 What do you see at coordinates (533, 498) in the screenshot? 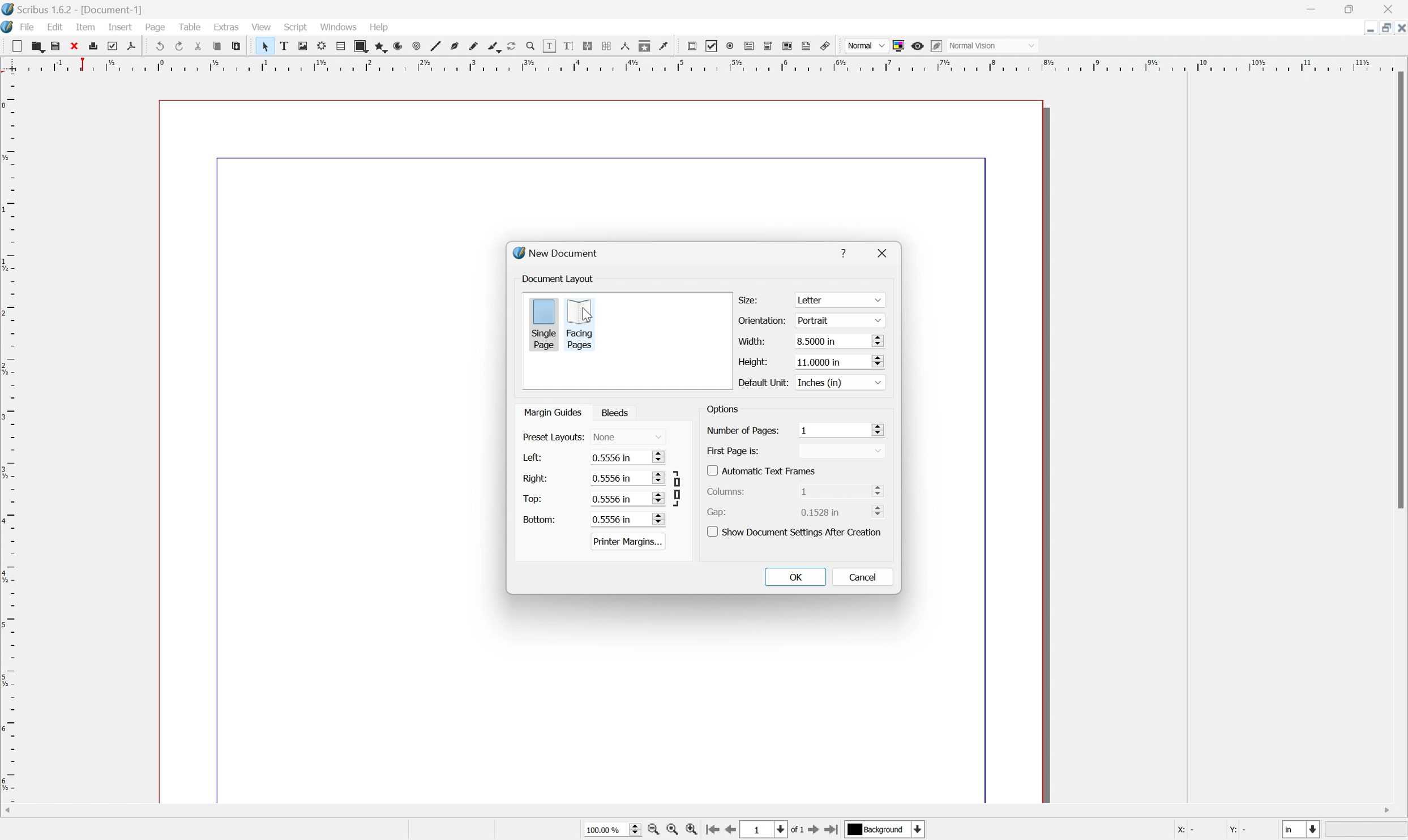
I see `top:` at bounding box center [533, 498].